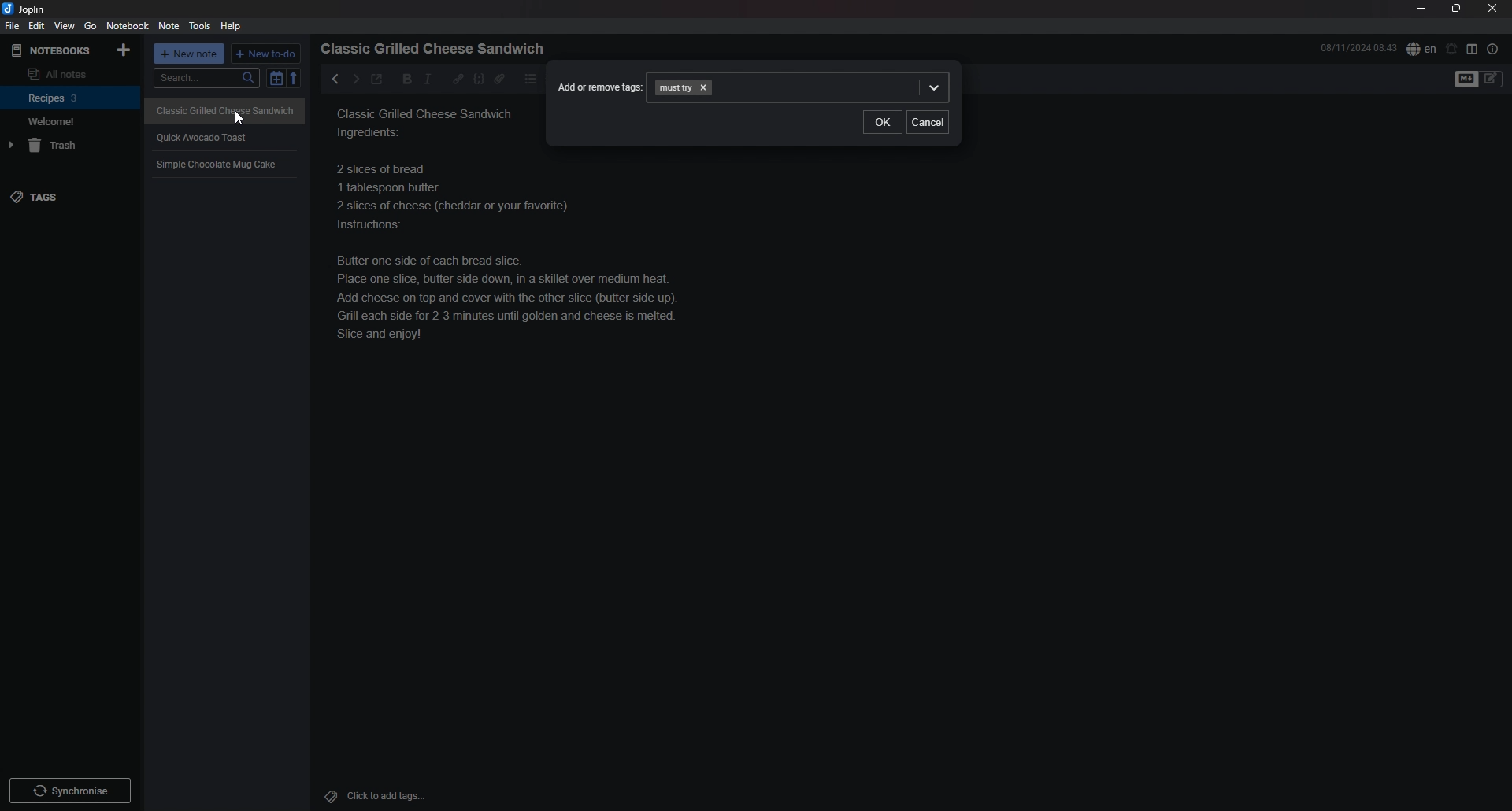  I want to click on simple chocolate mug cake, so click(540, 274).